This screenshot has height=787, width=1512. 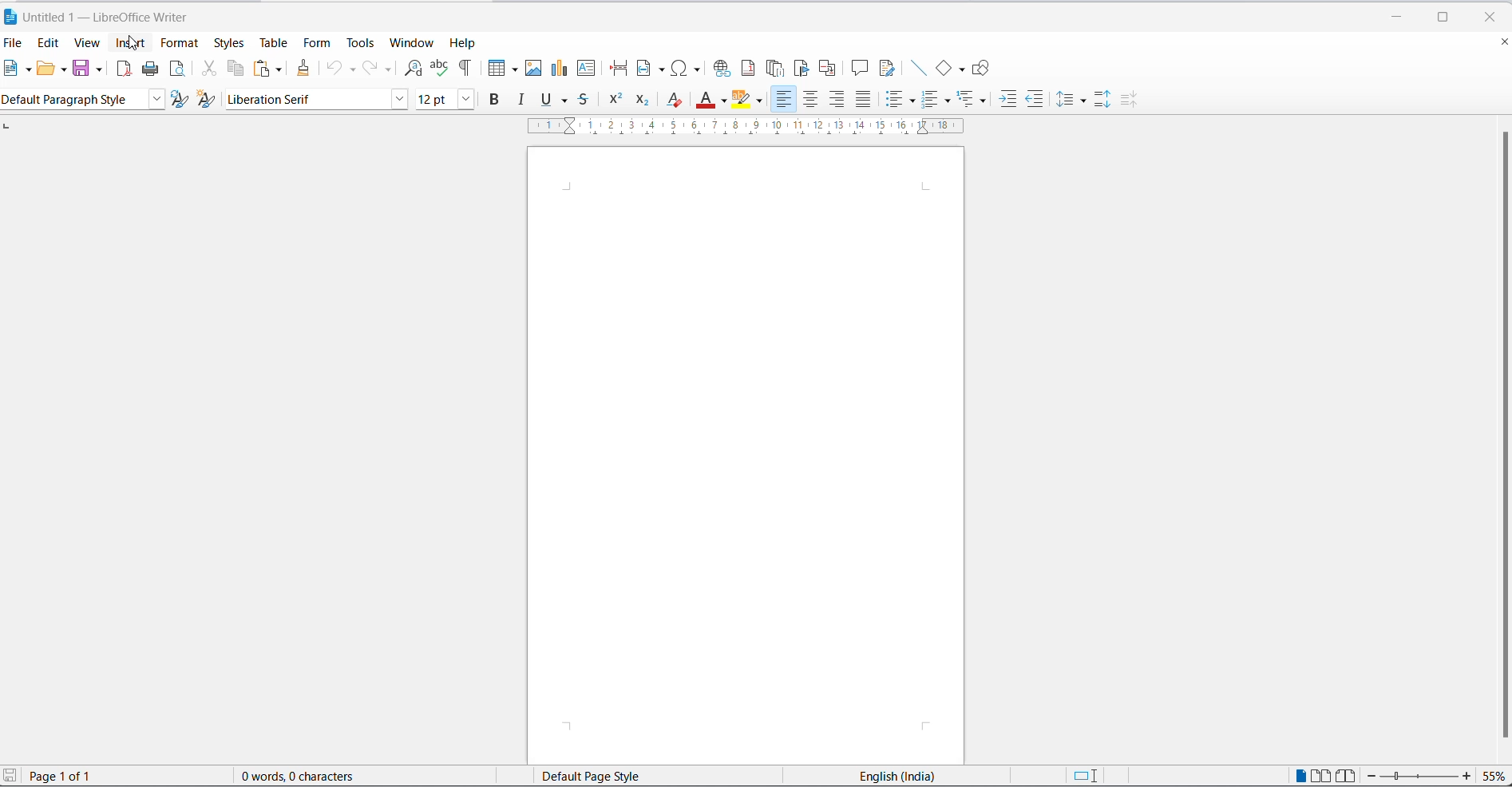 What do you see at coordinates (914, 101) in the screenshot?
I see `toggle unordered list options` at bounding box center [914, 101].